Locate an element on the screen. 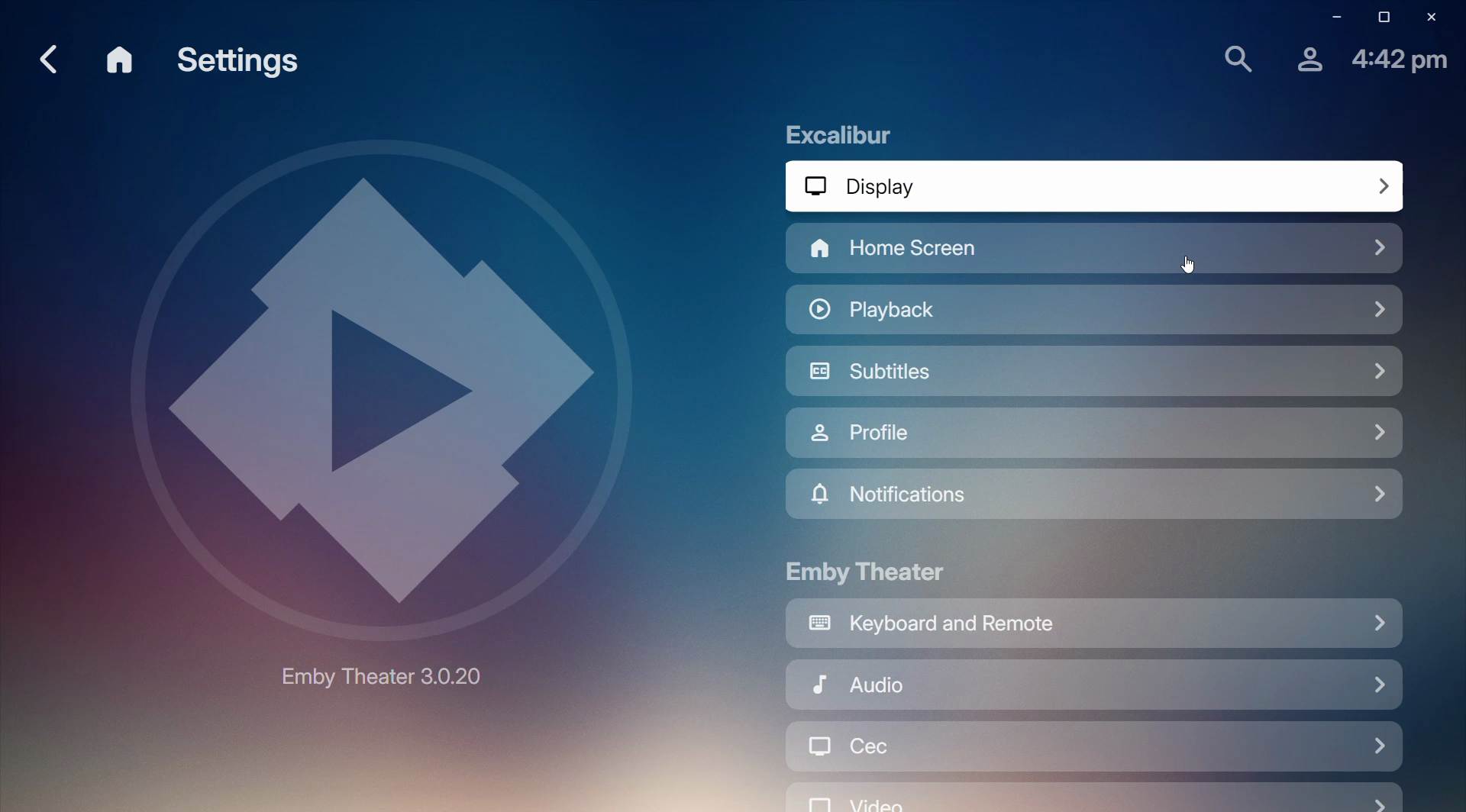 The image size is (1466, 812). Keyboard and Remote  is located at coordinates (1093, 625).